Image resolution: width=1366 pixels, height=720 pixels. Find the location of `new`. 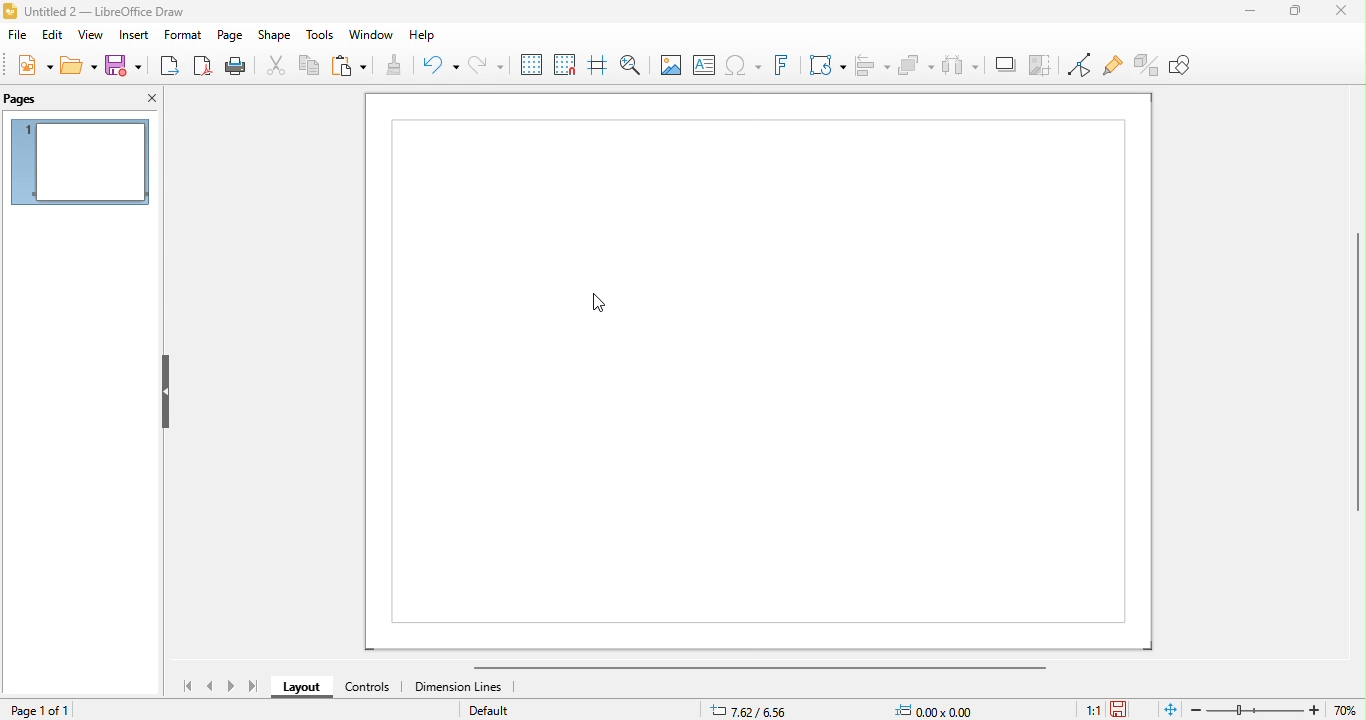

new is located at coordinates (33, 64).